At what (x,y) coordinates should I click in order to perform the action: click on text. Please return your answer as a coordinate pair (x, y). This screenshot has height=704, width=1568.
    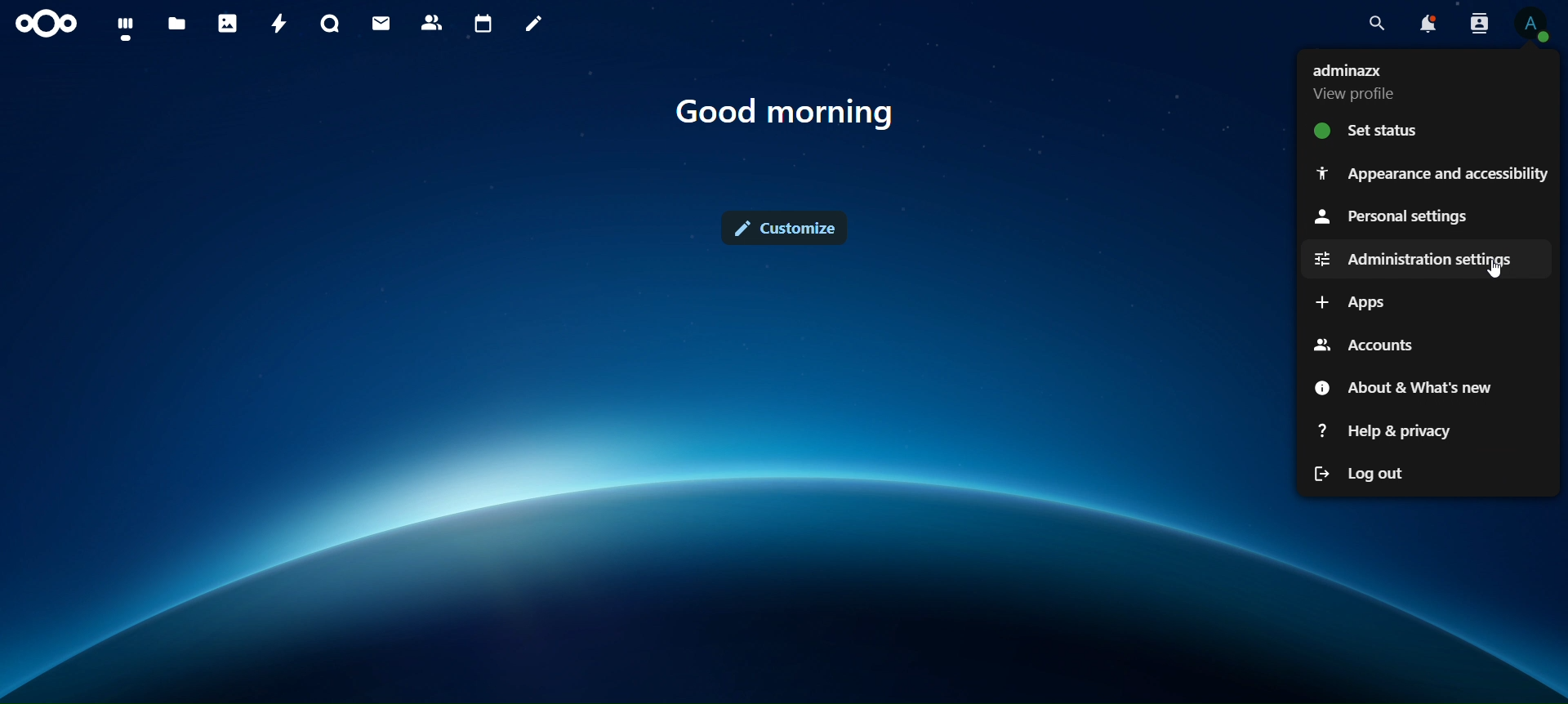
    Looking at the image, I should click on (795, 112).